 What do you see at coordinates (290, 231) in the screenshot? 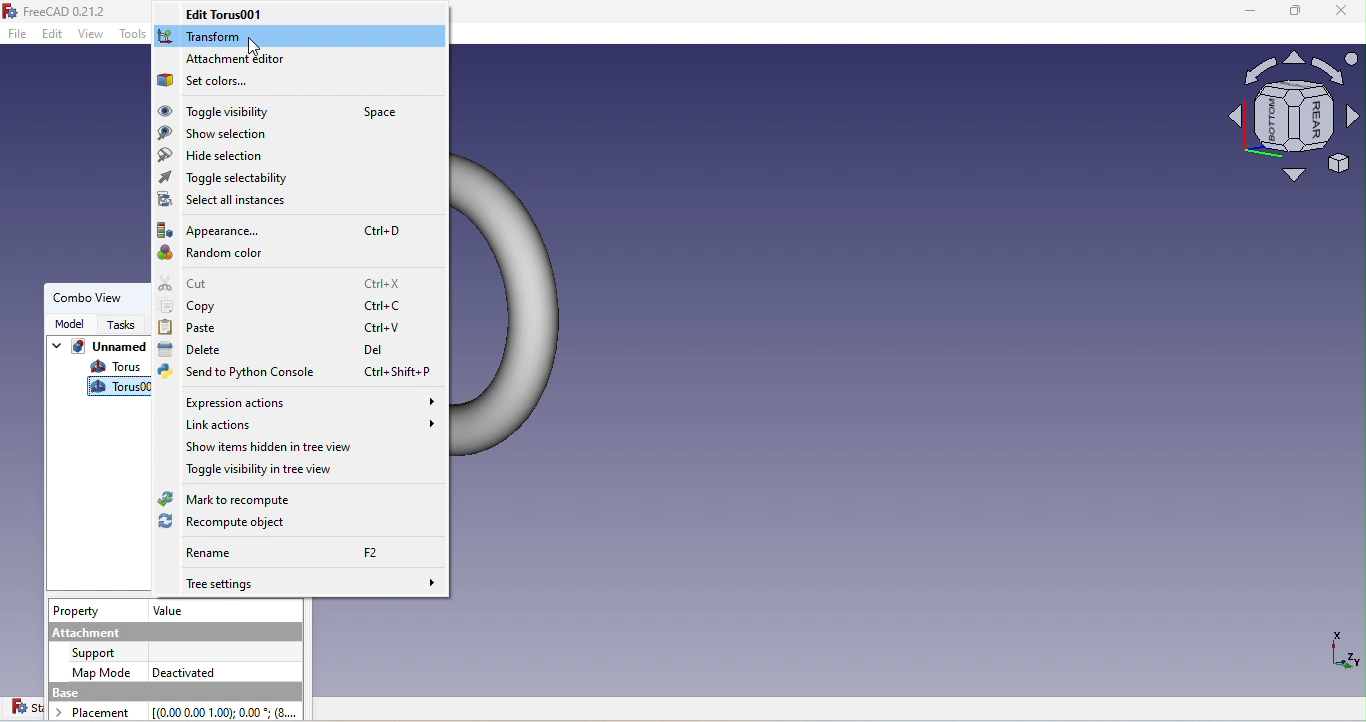
I see `Appearances` at bounding box center [290, 231].